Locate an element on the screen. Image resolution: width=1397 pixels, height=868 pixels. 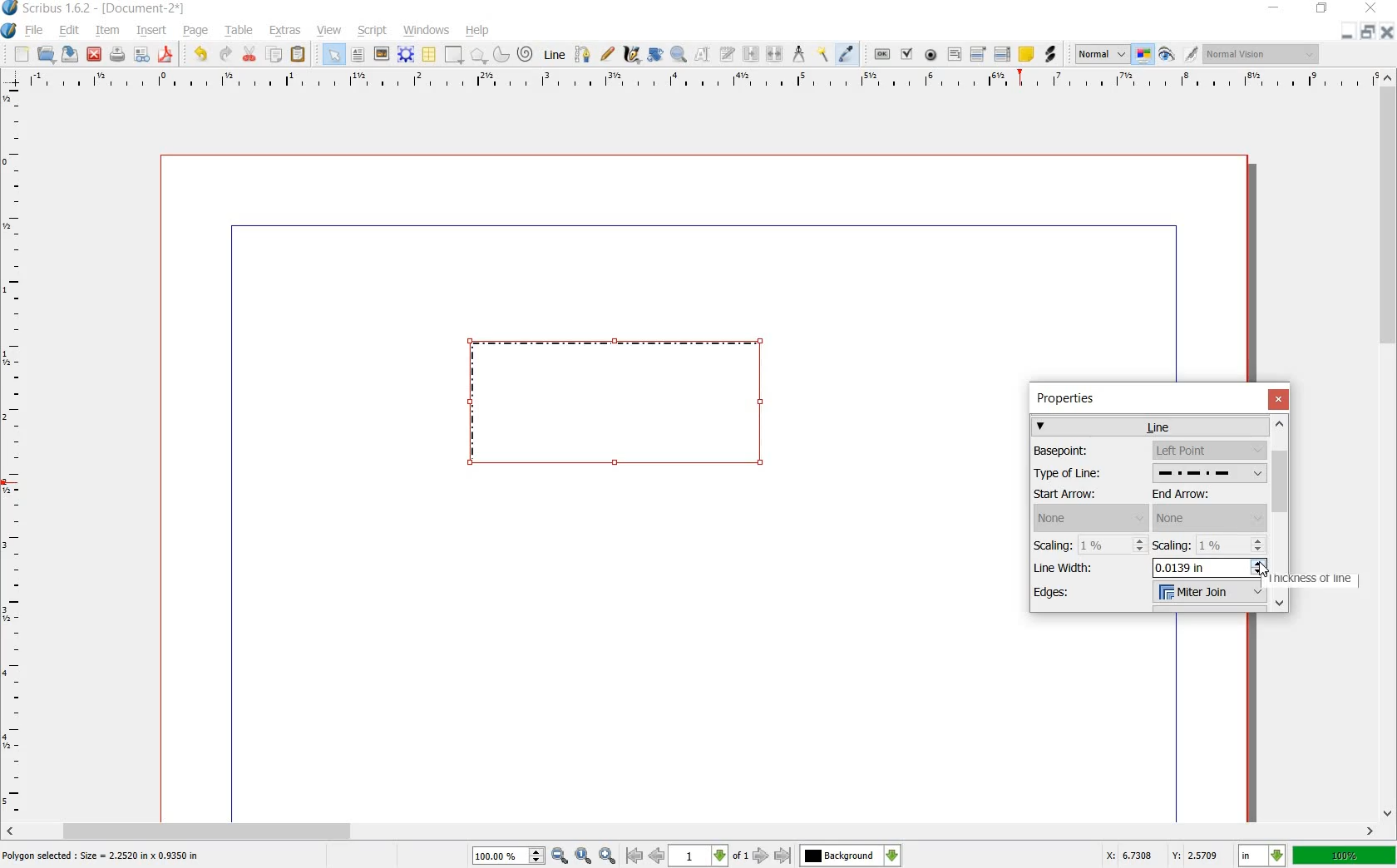
RESTORE is located at coordinates (1370, 32).